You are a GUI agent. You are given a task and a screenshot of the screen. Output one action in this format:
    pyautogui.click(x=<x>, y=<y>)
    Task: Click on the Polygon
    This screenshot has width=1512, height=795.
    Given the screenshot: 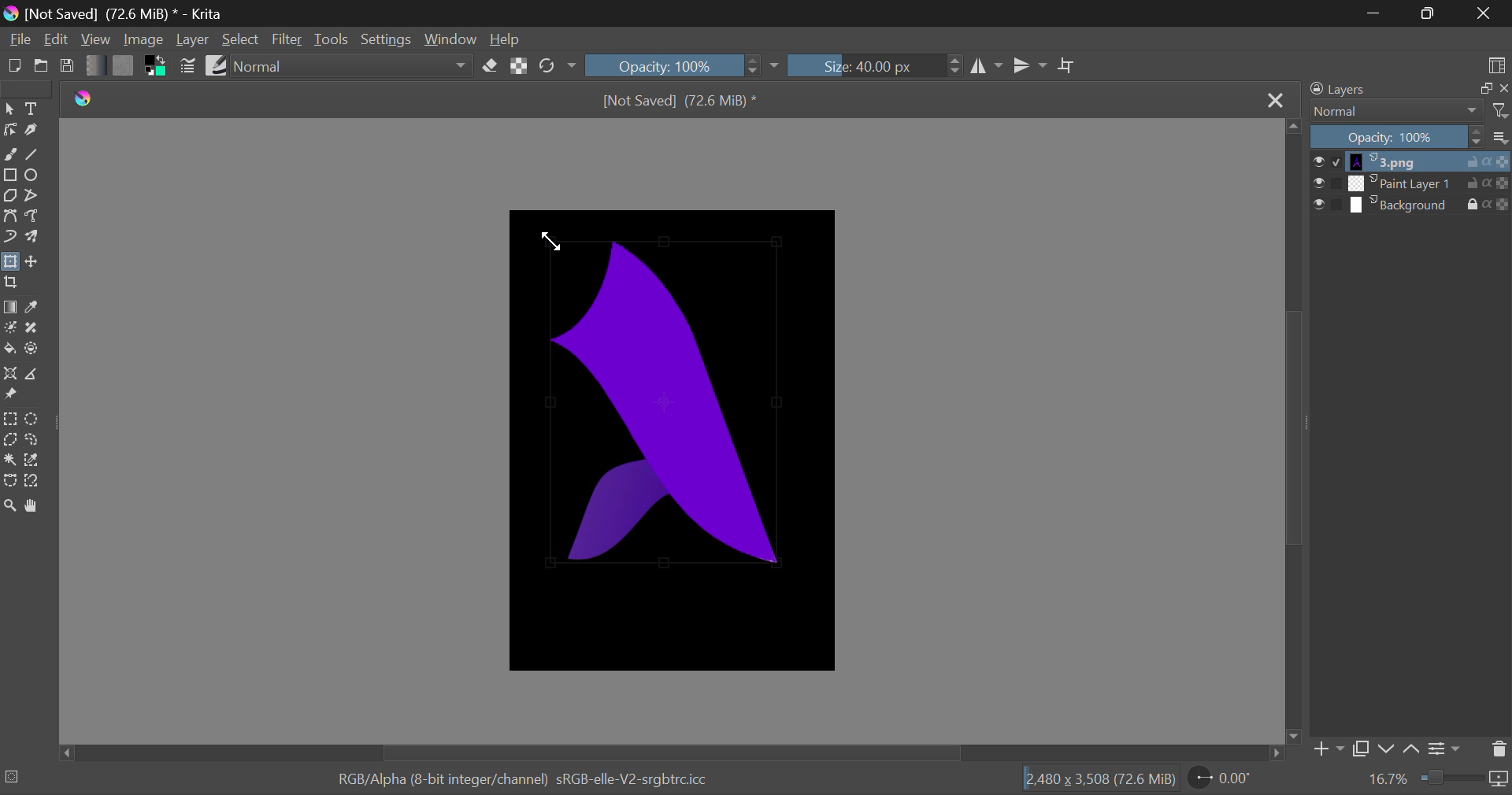 What is the action you would take?
    pyautogui.click(x=11, y=198)
    